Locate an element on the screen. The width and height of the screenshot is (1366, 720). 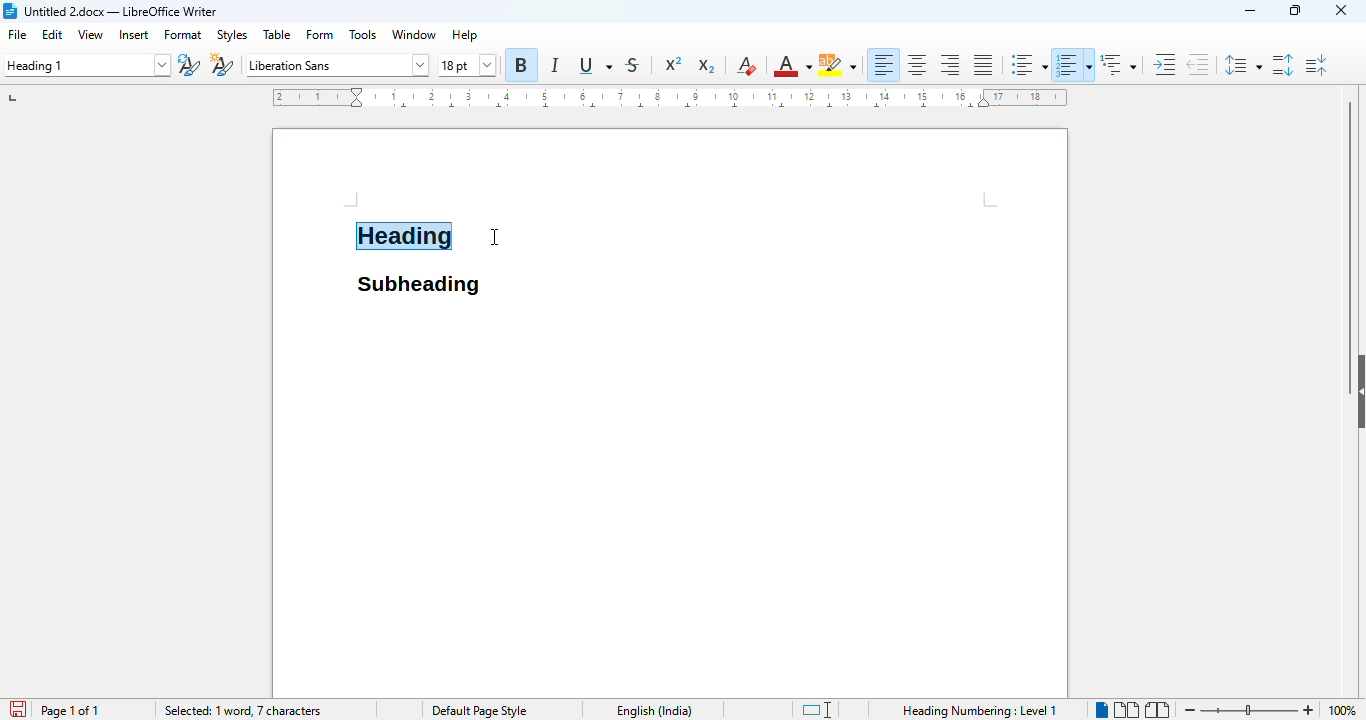
decrease paragraph spacing is located at coordinates (1316, 65).